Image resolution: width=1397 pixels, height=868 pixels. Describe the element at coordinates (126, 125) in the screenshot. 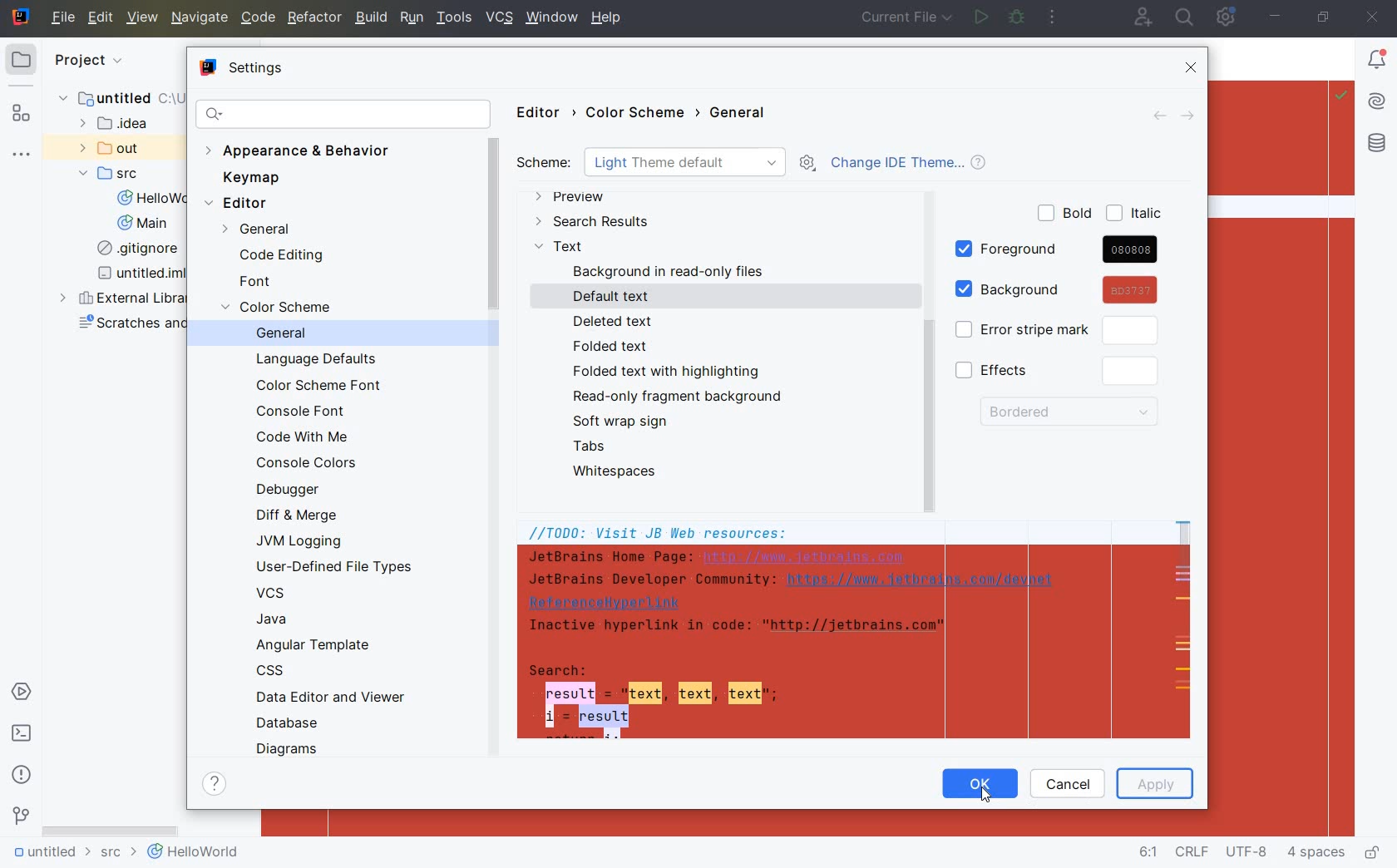

I see `idea` at that location.